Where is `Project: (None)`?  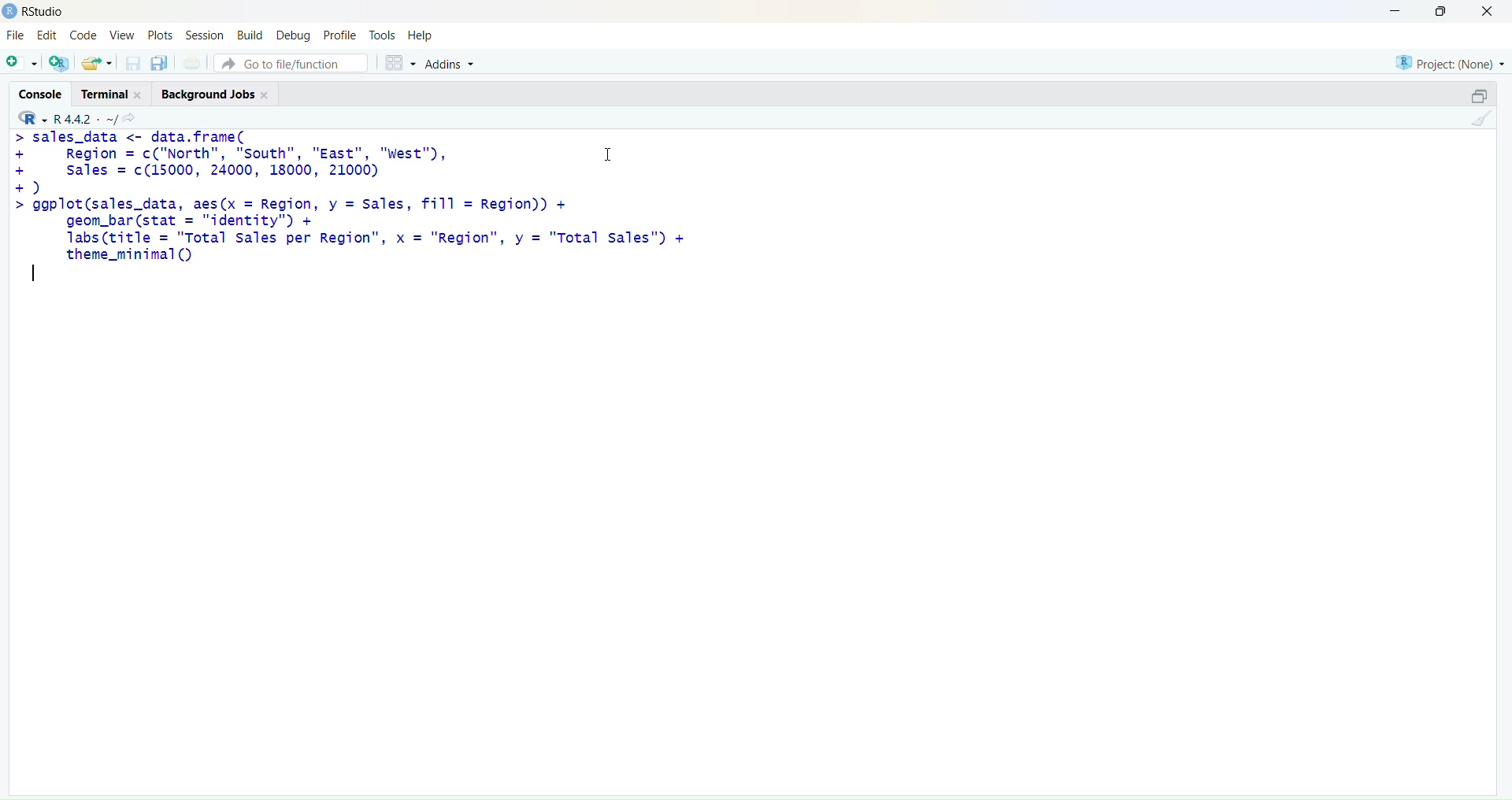 Project: (None) is located at coordinates (1450, 61).